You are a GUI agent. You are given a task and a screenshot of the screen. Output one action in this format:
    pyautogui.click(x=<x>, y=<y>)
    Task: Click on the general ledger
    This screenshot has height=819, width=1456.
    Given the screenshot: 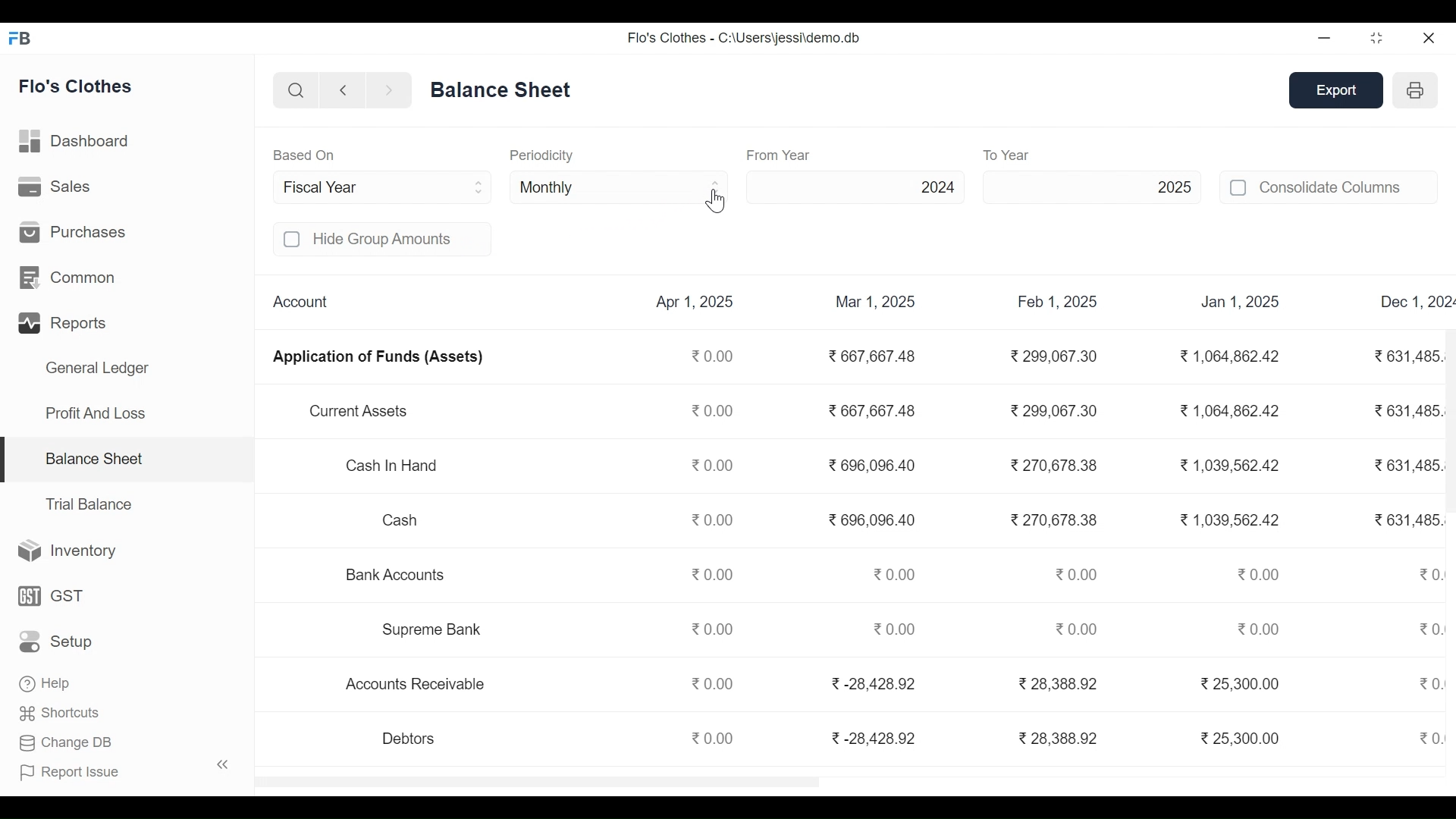 What is the action you would take?
    pyautogui.click(x=504, y=89)
    